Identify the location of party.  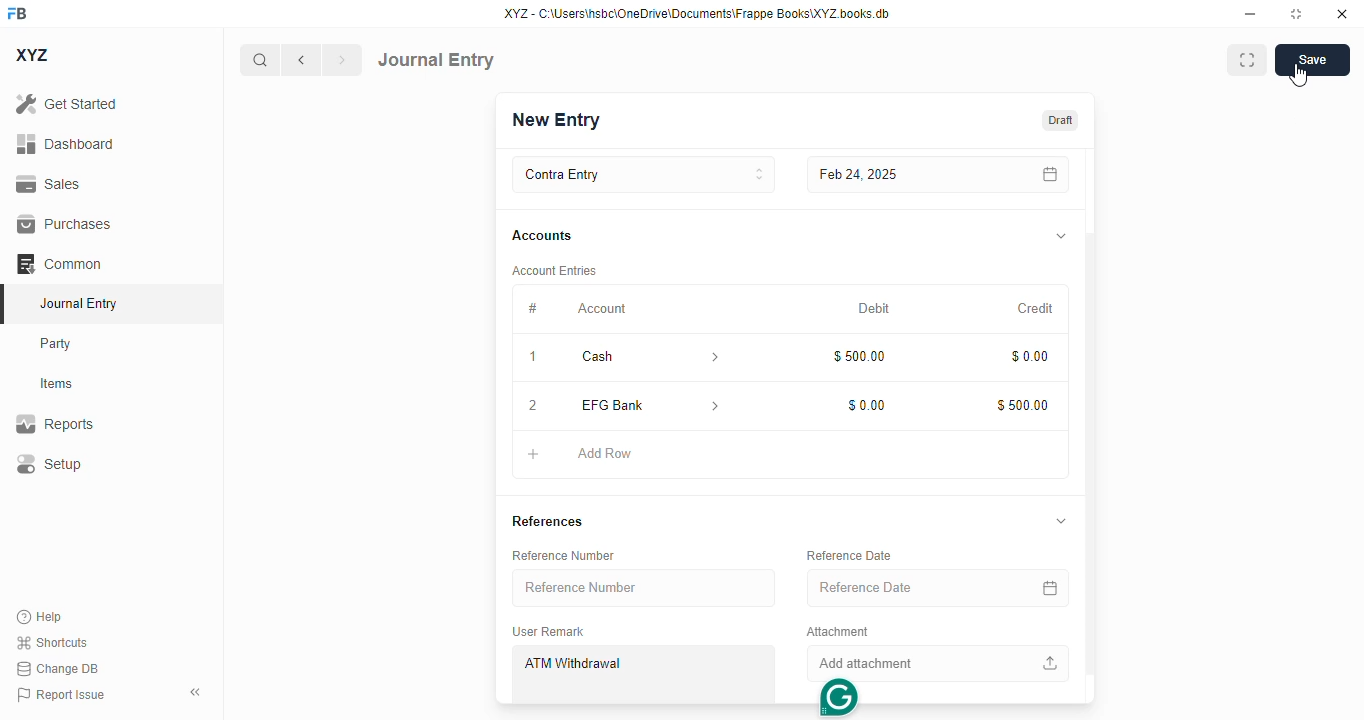
(58, 344).